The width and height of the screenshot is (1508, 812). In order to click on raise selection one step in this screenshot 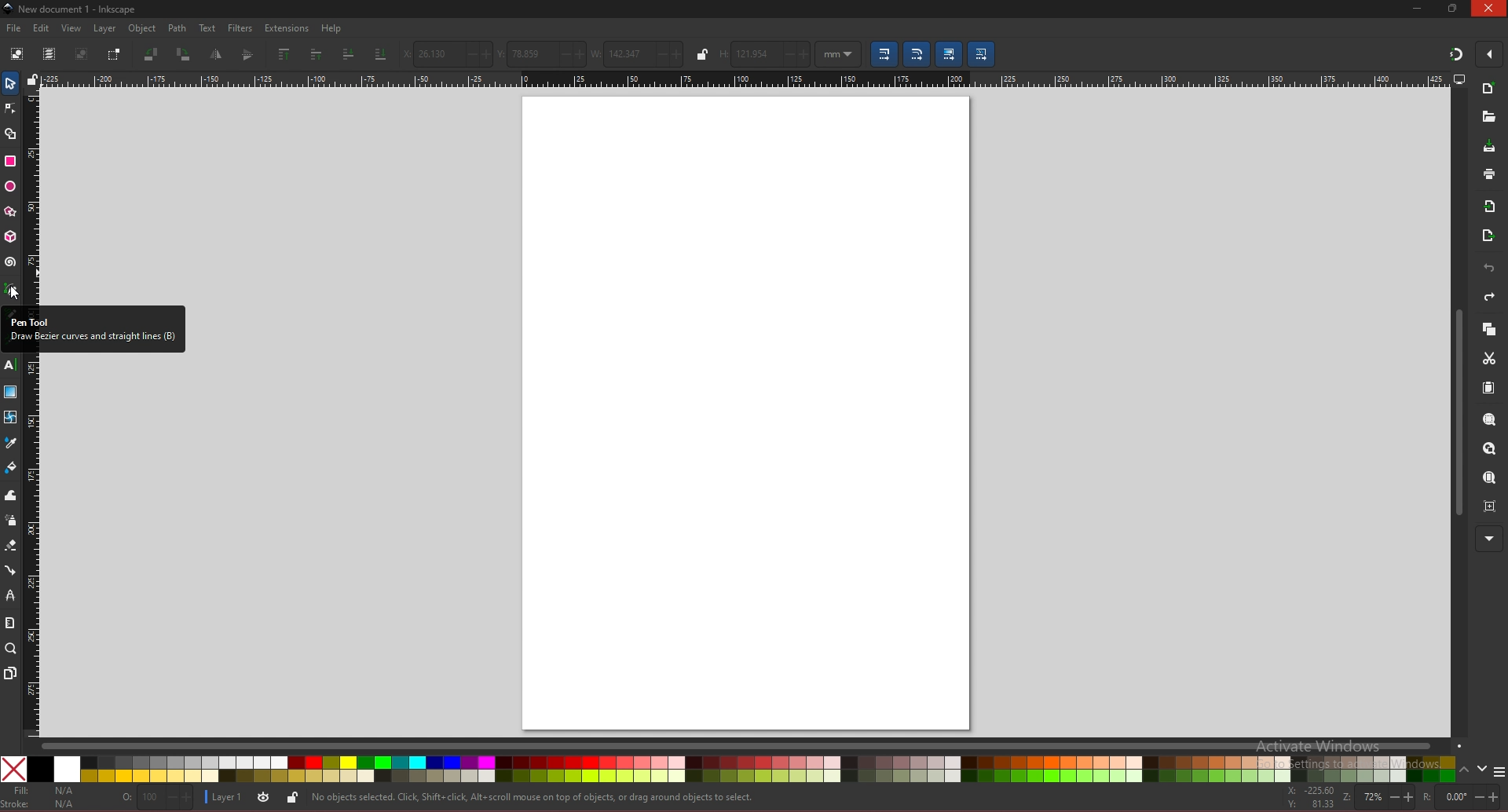, I will do `click(317, 53)`.